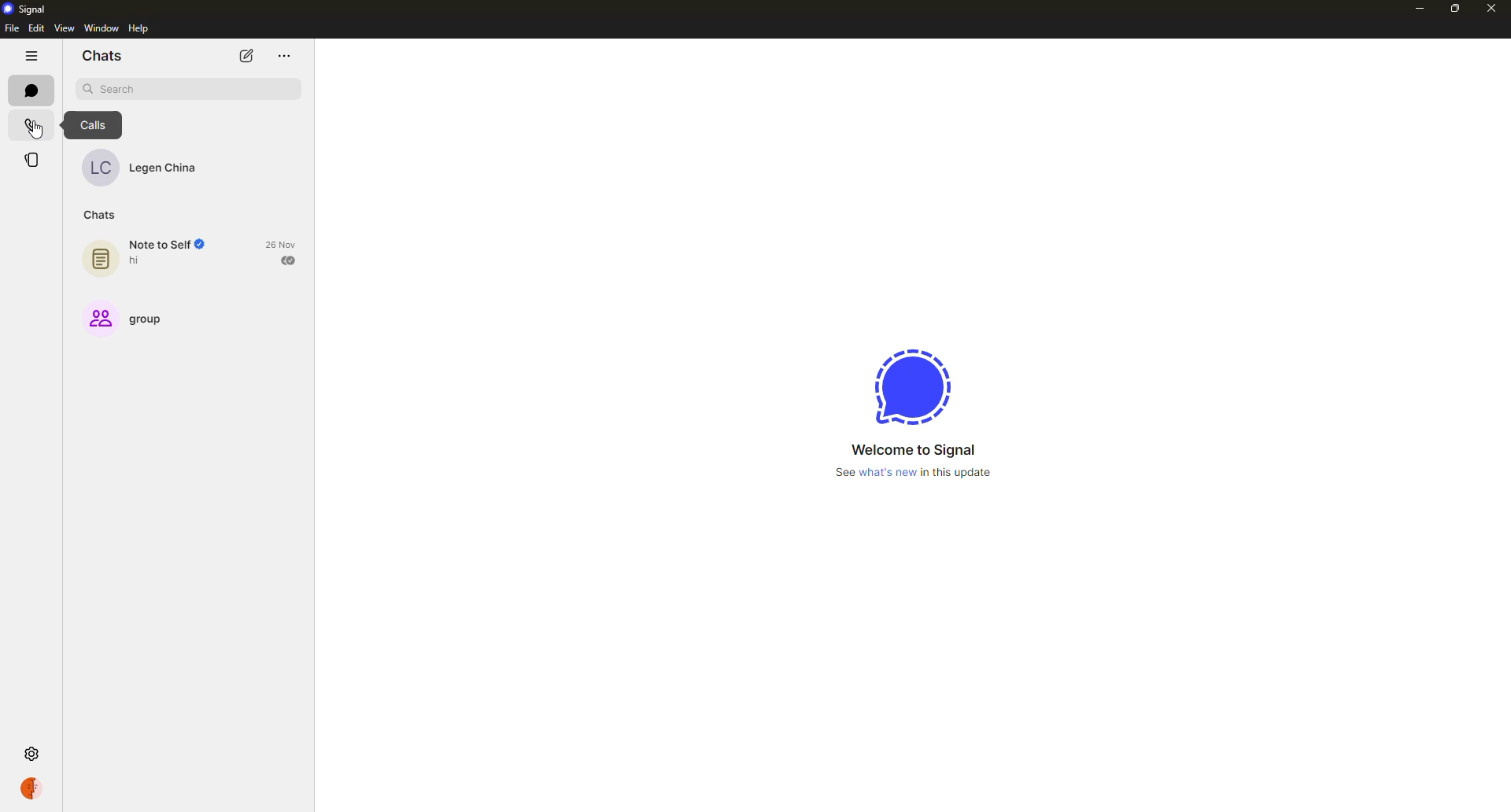 The image size is (1511, 812). Describe the element at coordinates (30, 788) in the screenshot. I see `profile` at that location.